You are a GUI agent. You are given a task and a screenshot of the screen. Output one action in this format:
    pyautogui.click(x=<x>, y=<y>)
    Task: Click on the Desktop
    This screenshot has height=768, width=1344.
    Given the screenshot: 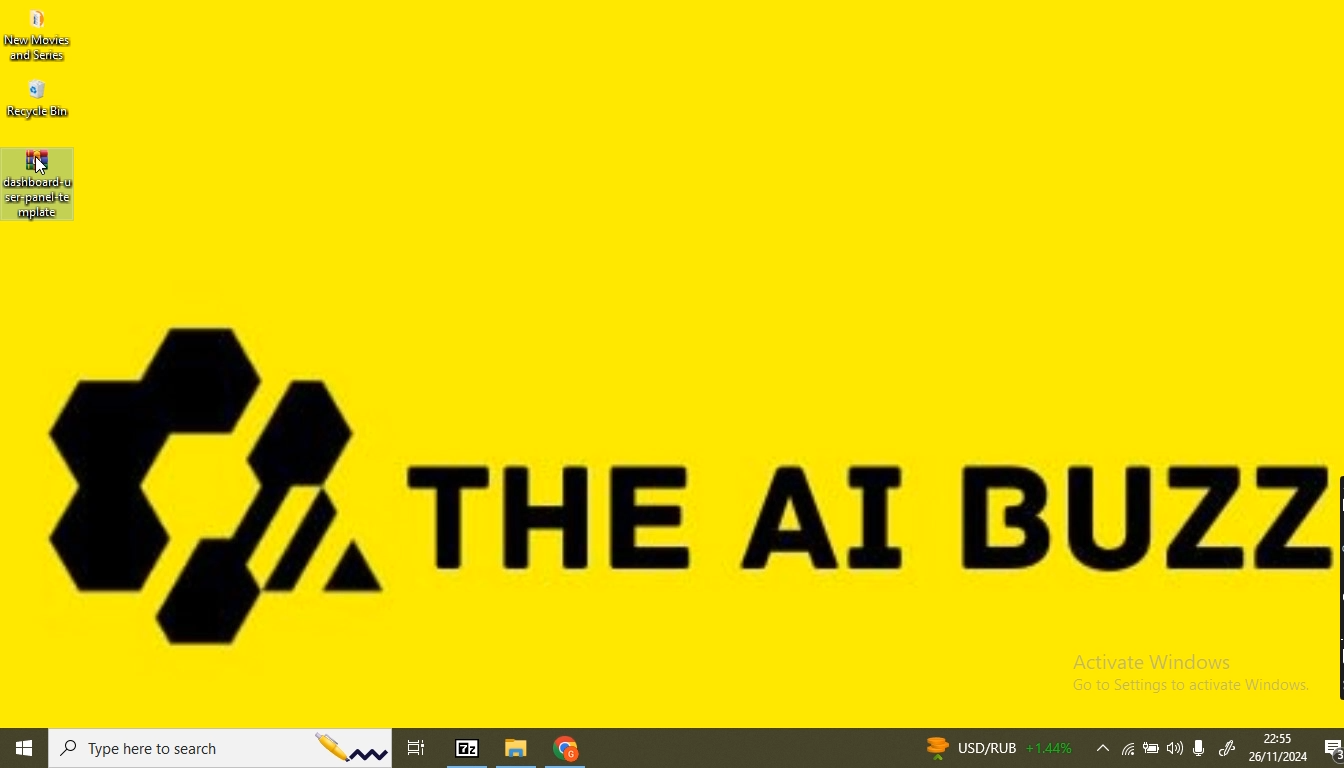 What is the action you would take?
    pyautogui.click(x=721, y=368)
    